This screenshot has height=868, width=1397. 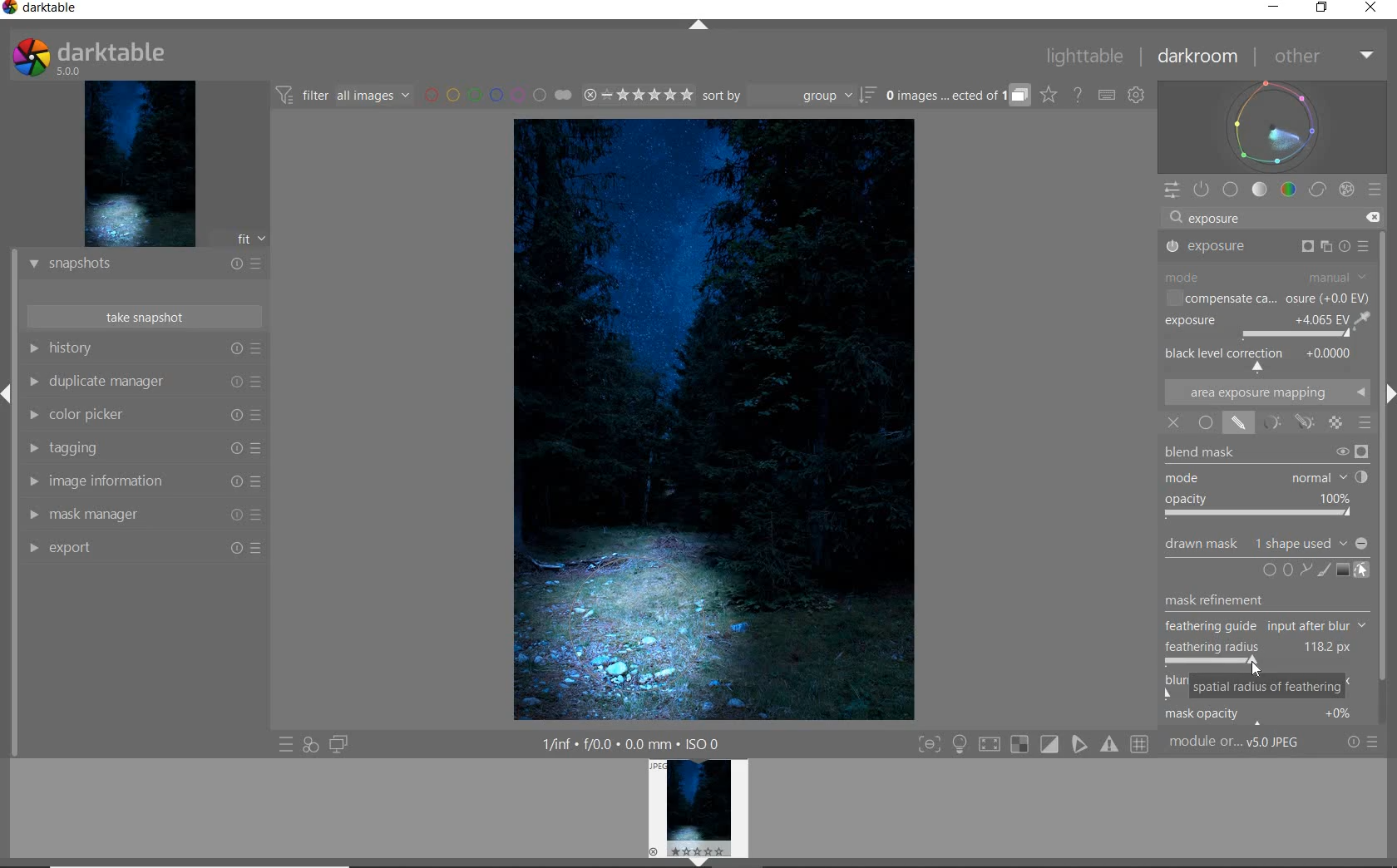 I want to click on IMAGE PREVIEW, so click(x=698, y=812).